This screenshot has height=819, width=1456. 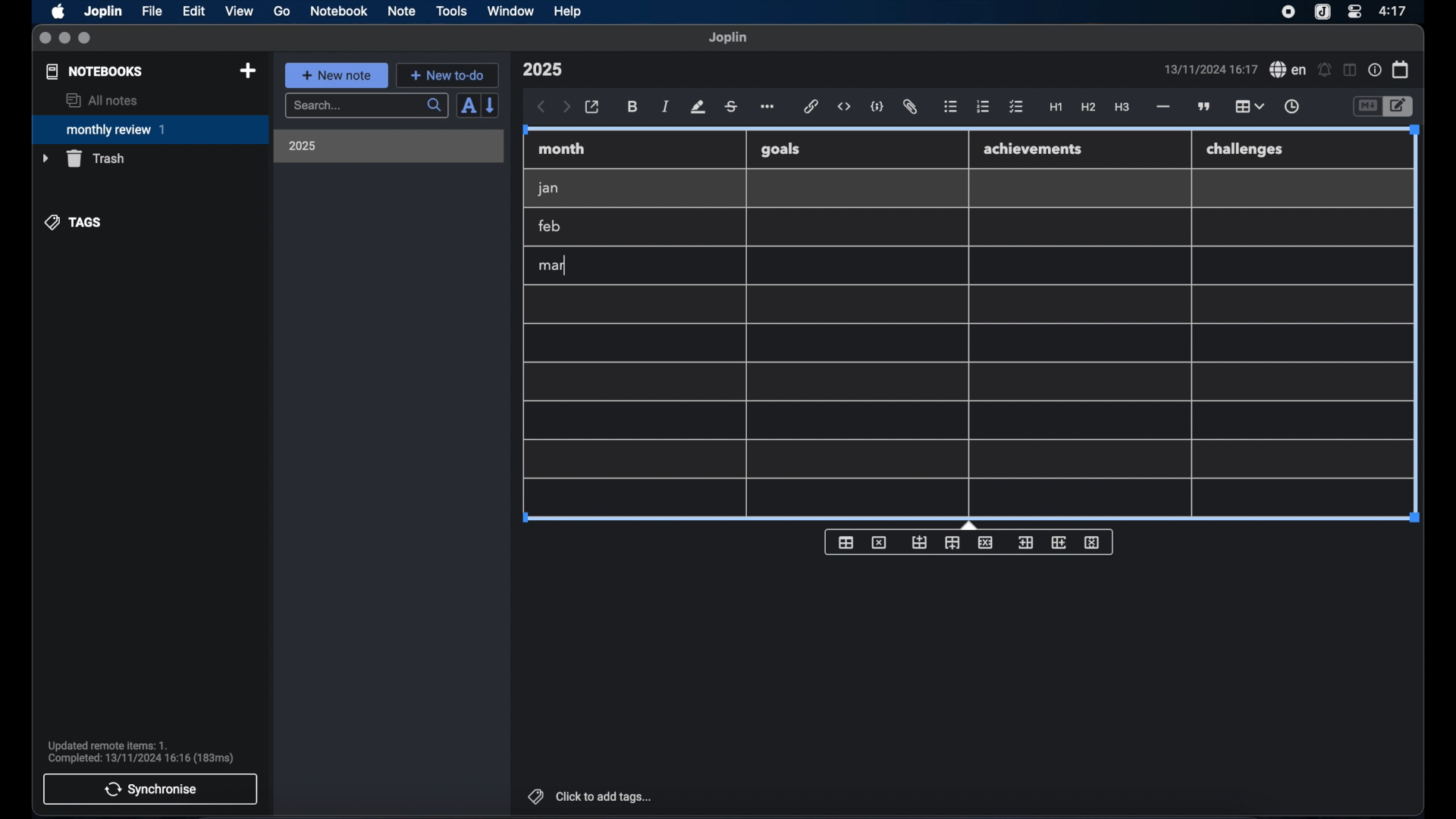 I want to click on insert table, so click(x=846, y=542).